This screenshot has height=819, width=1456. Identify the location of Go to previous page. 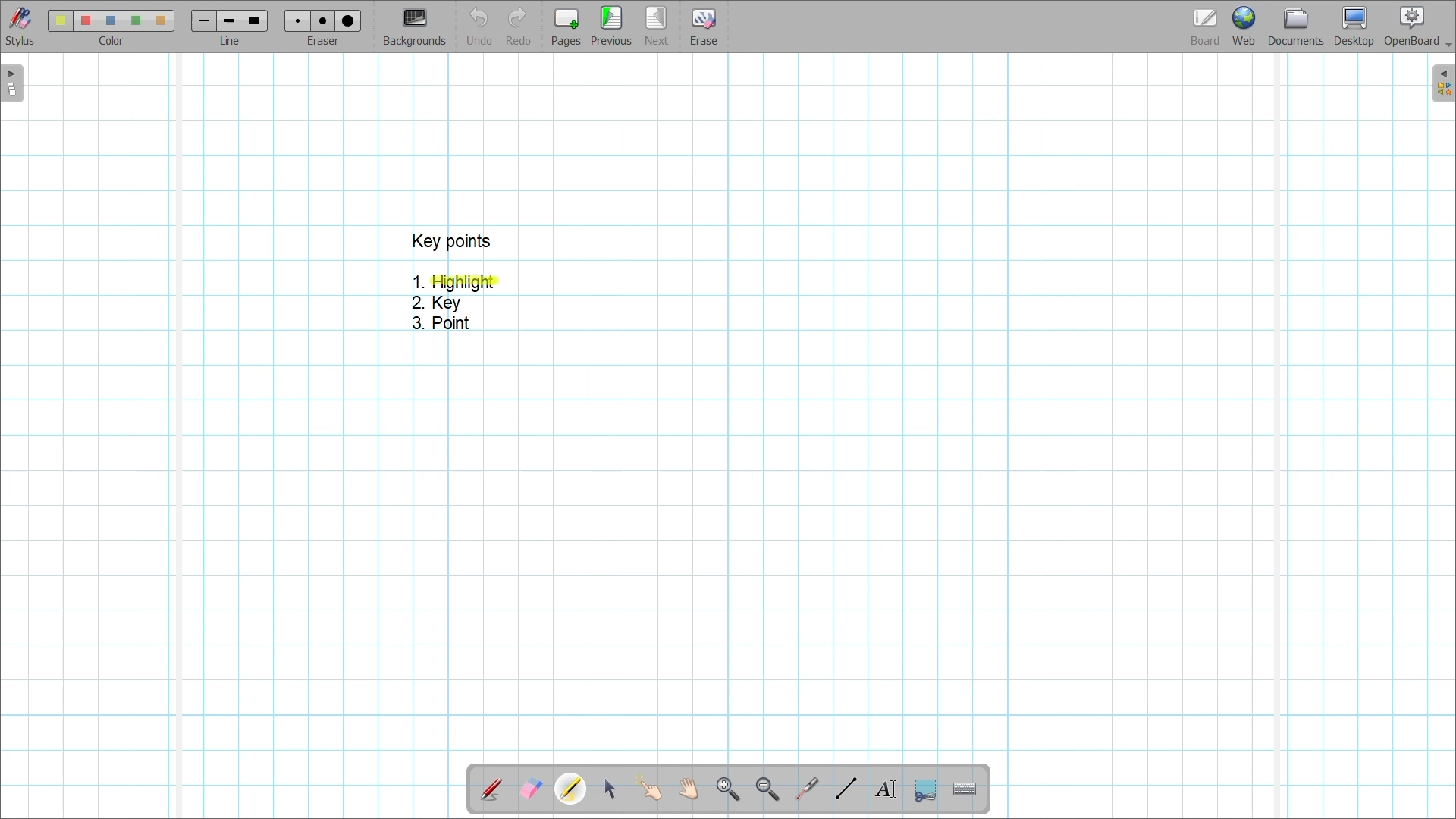
(611, 26).